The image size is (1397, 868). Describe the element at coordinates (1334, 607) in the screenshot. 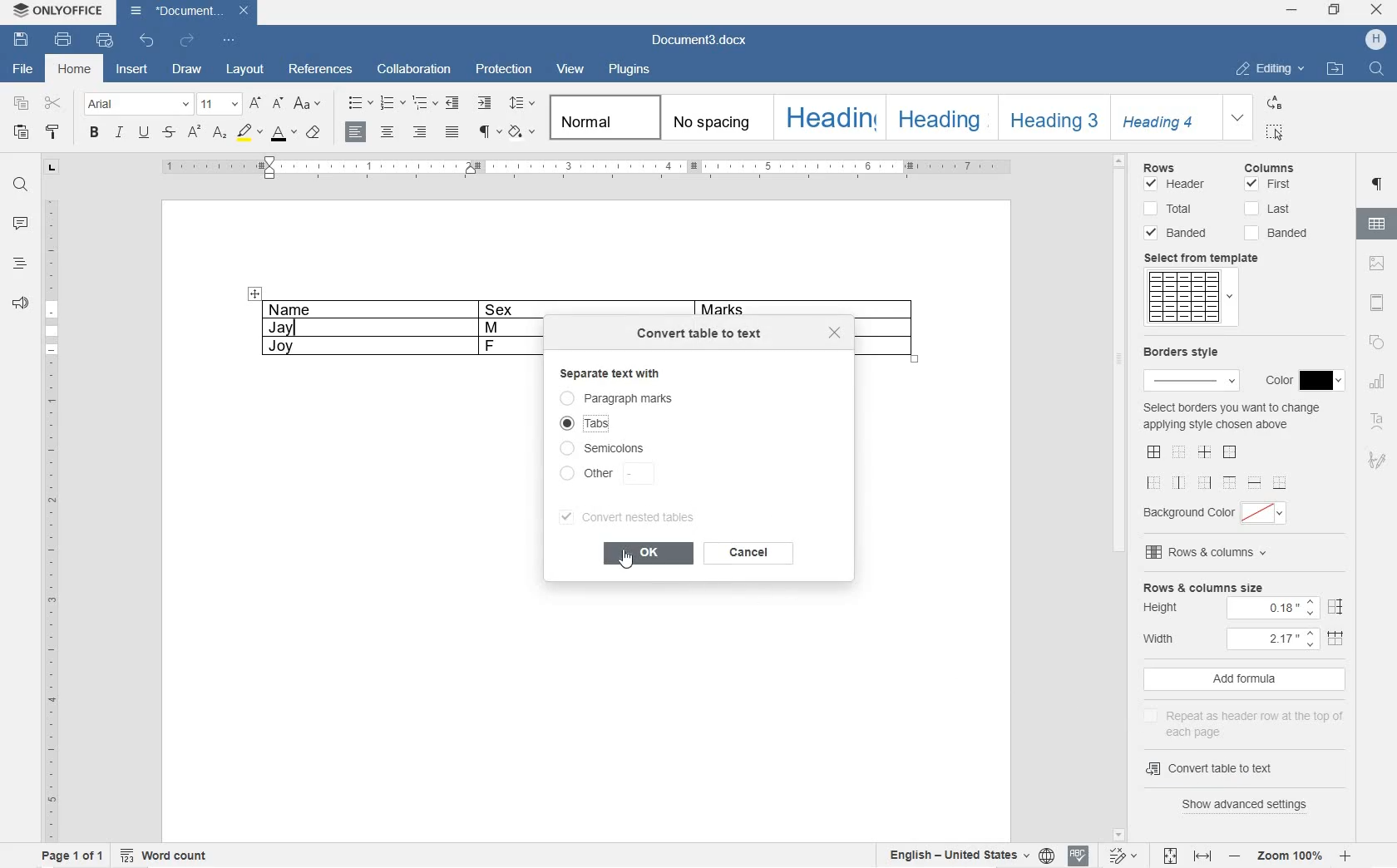

I see `distribute rows` at that location.